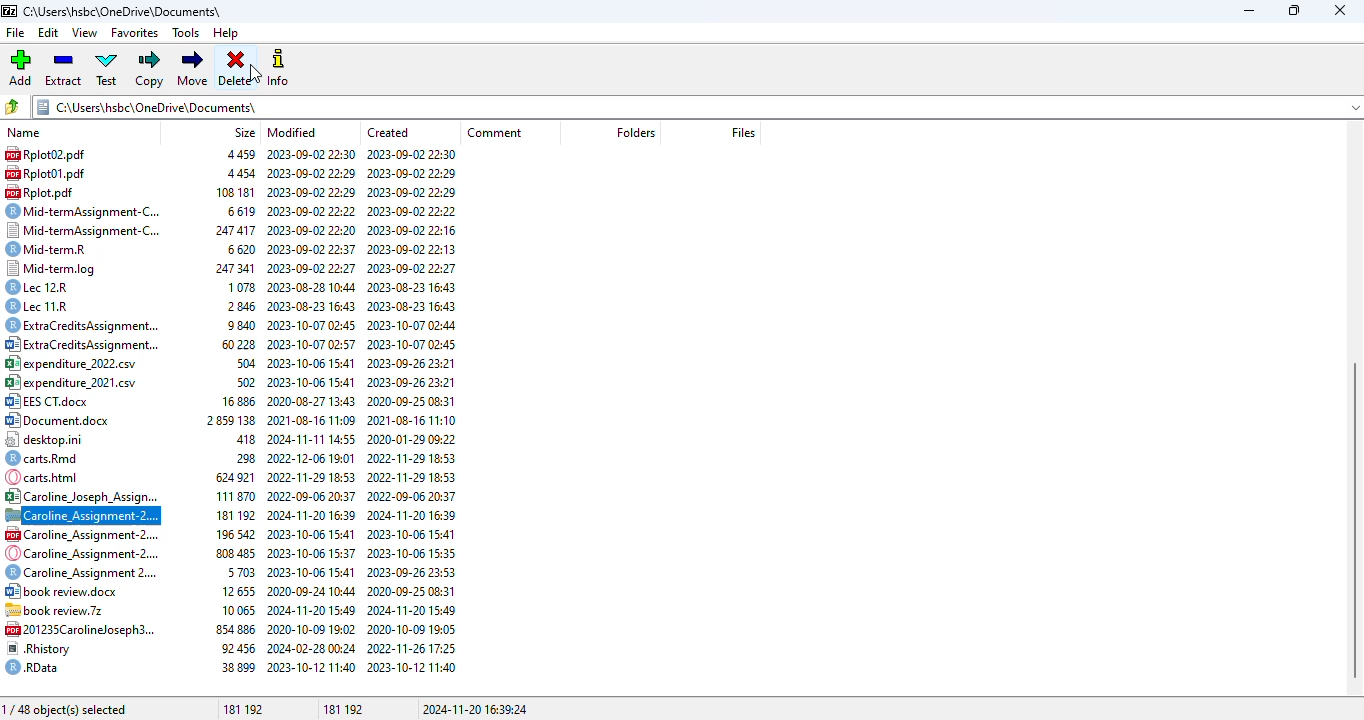 This screenshot has width=1364, height=720. What do you see at coordinates (312, 553) in the screenshot?
I see `2023-10-06 15:37` at bounding box center [312, 553].